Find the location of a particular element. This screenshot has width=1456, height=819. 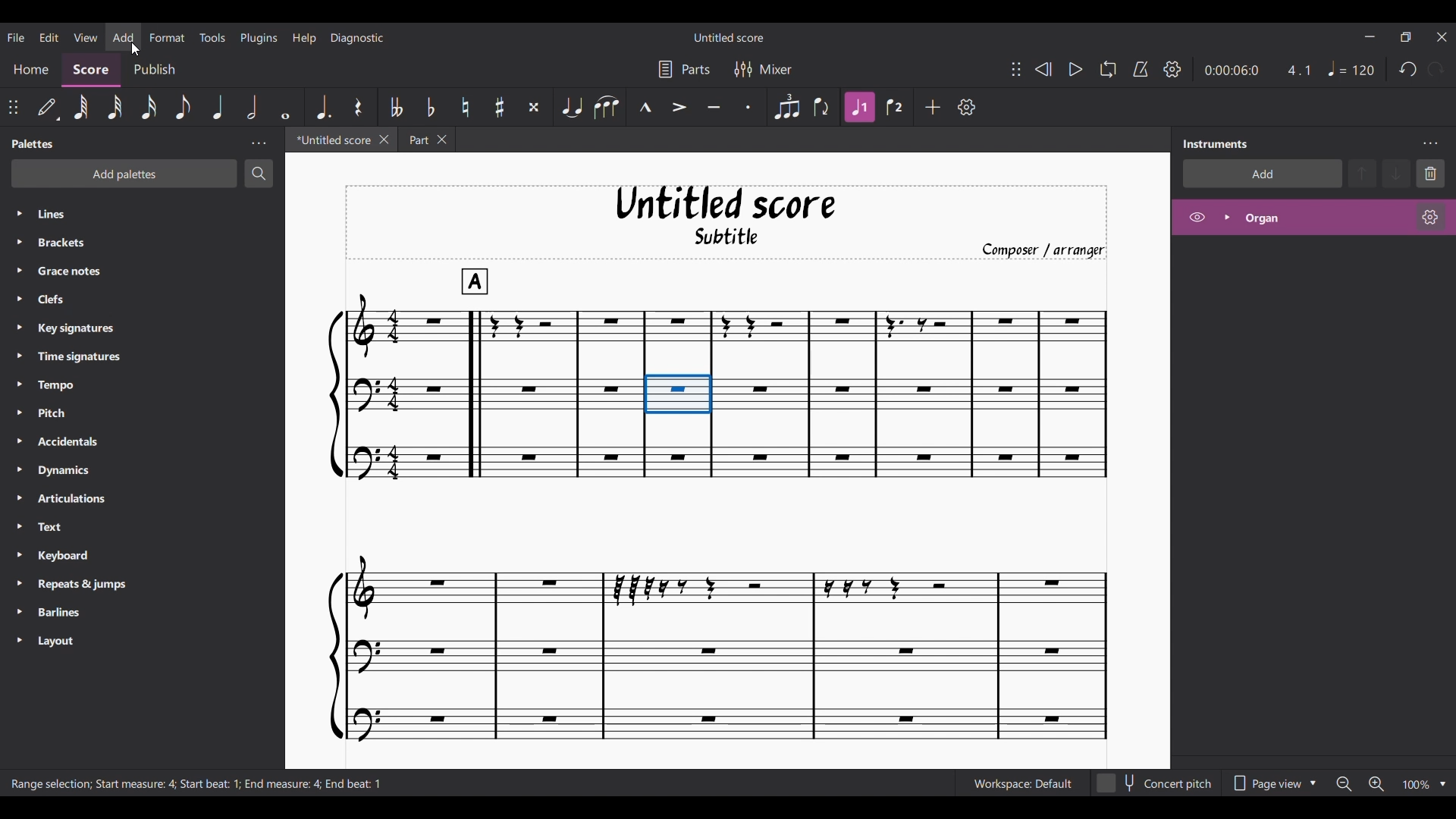

Diagnostic menu is located at coordinates (357, 37).